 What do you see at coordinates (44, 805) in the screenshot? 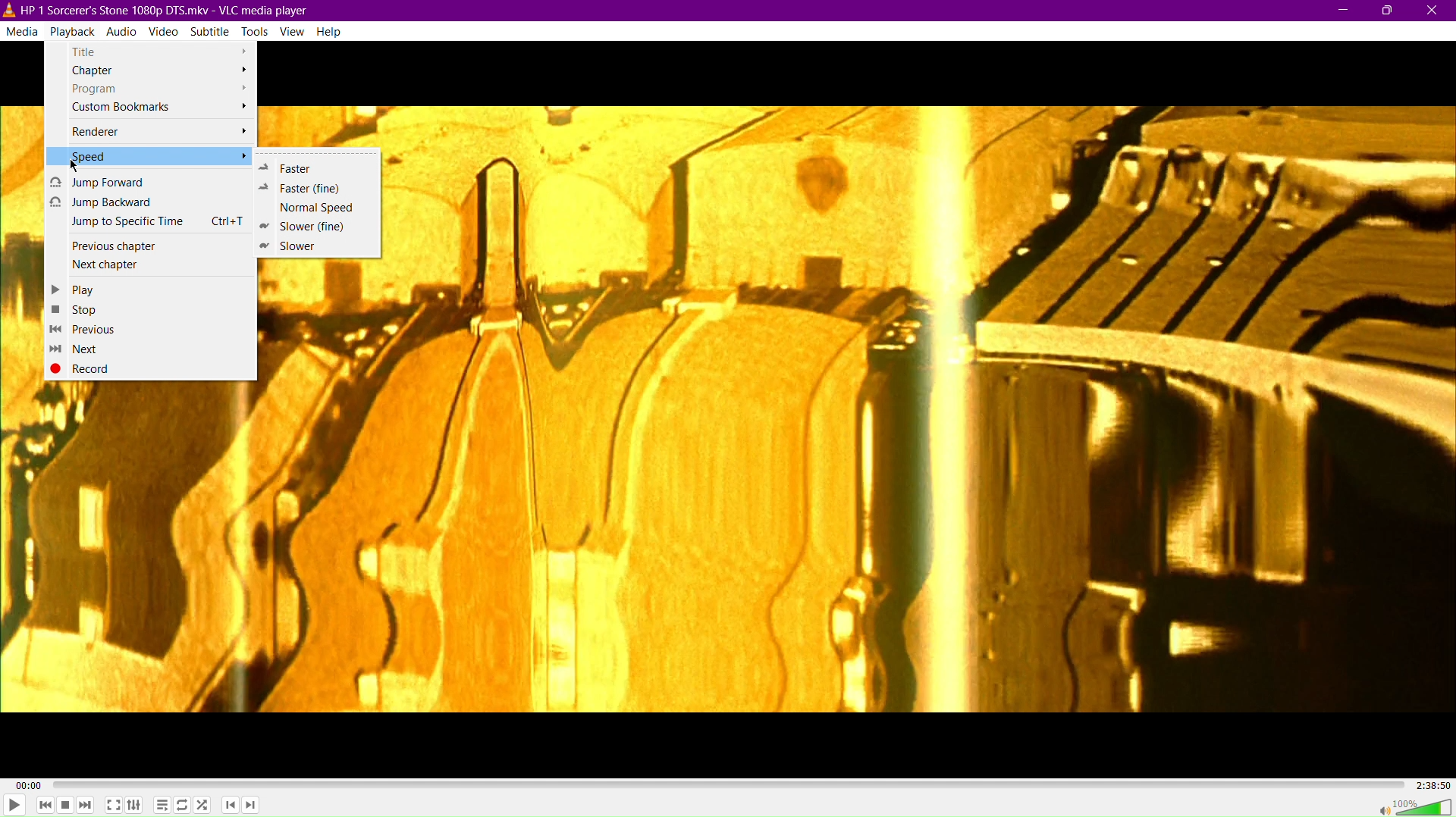
I see `Skip Back` at bounding box center [44, 805].